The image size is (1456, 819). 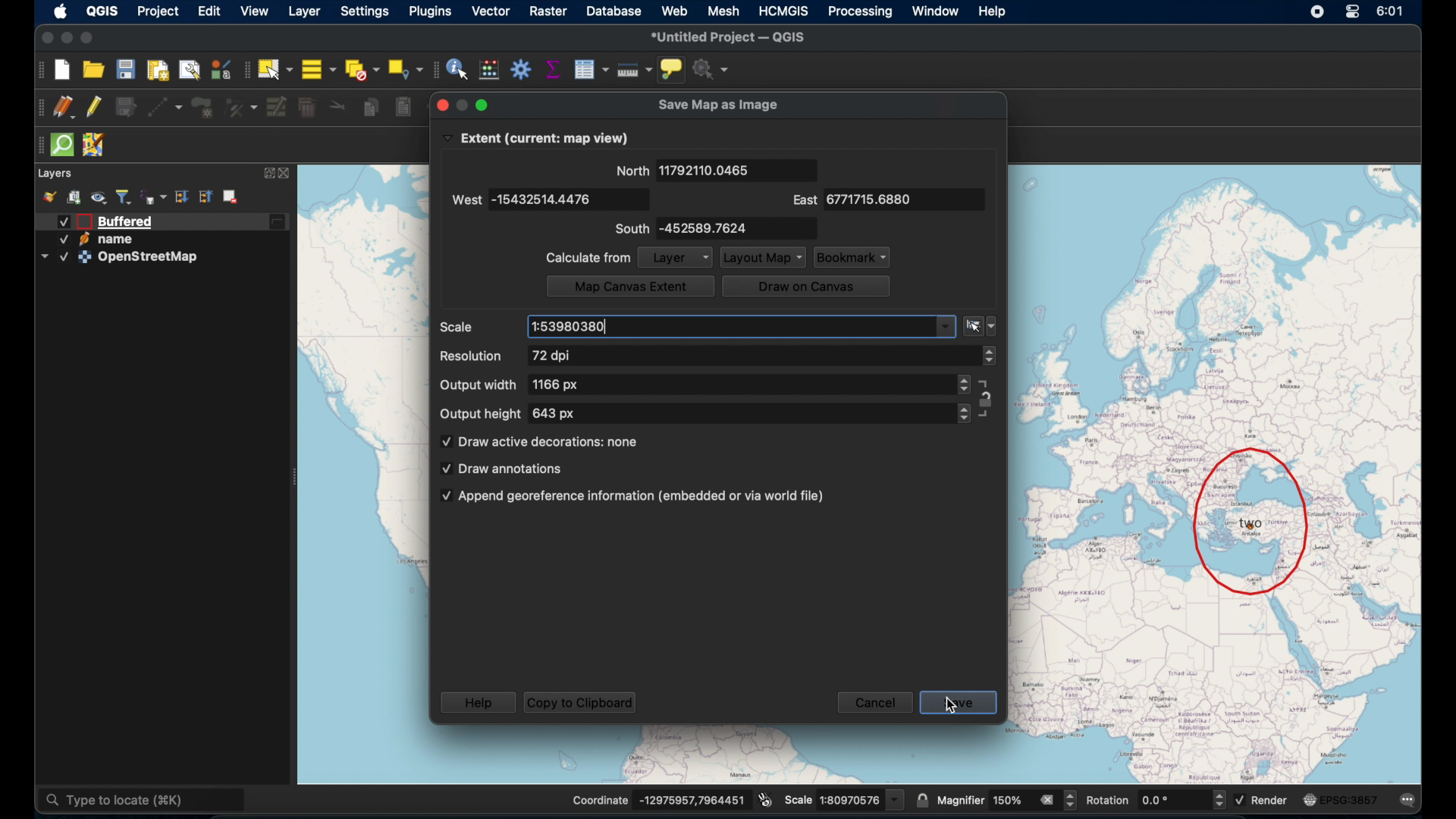 What do you see at coordinates (906, 199) in the screenshot?
I see `6771715.6880` at bounding box center [906, 199].